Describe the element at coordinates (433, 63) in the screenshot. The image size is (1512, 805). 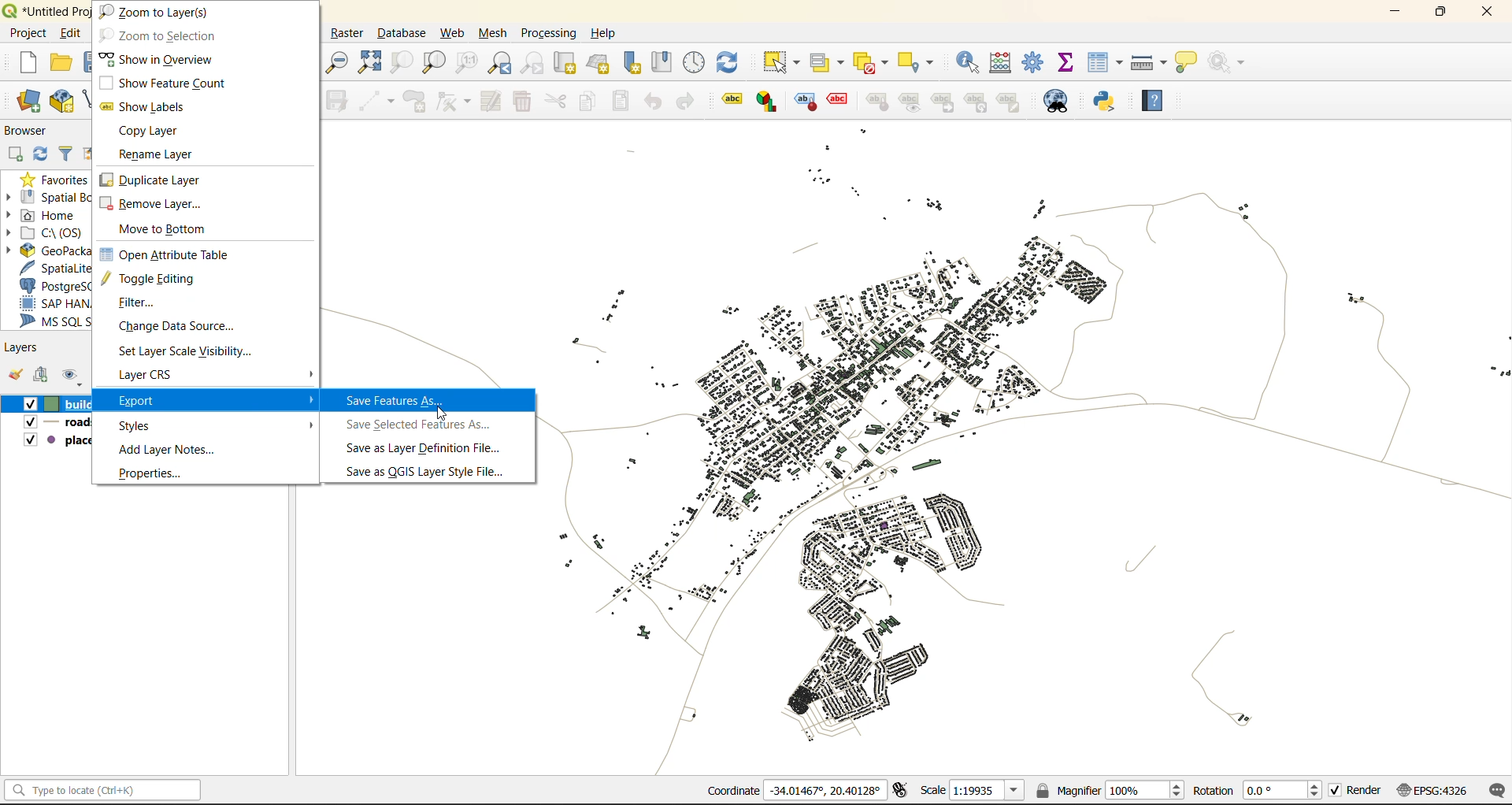
I see `zoom layer` at that location.